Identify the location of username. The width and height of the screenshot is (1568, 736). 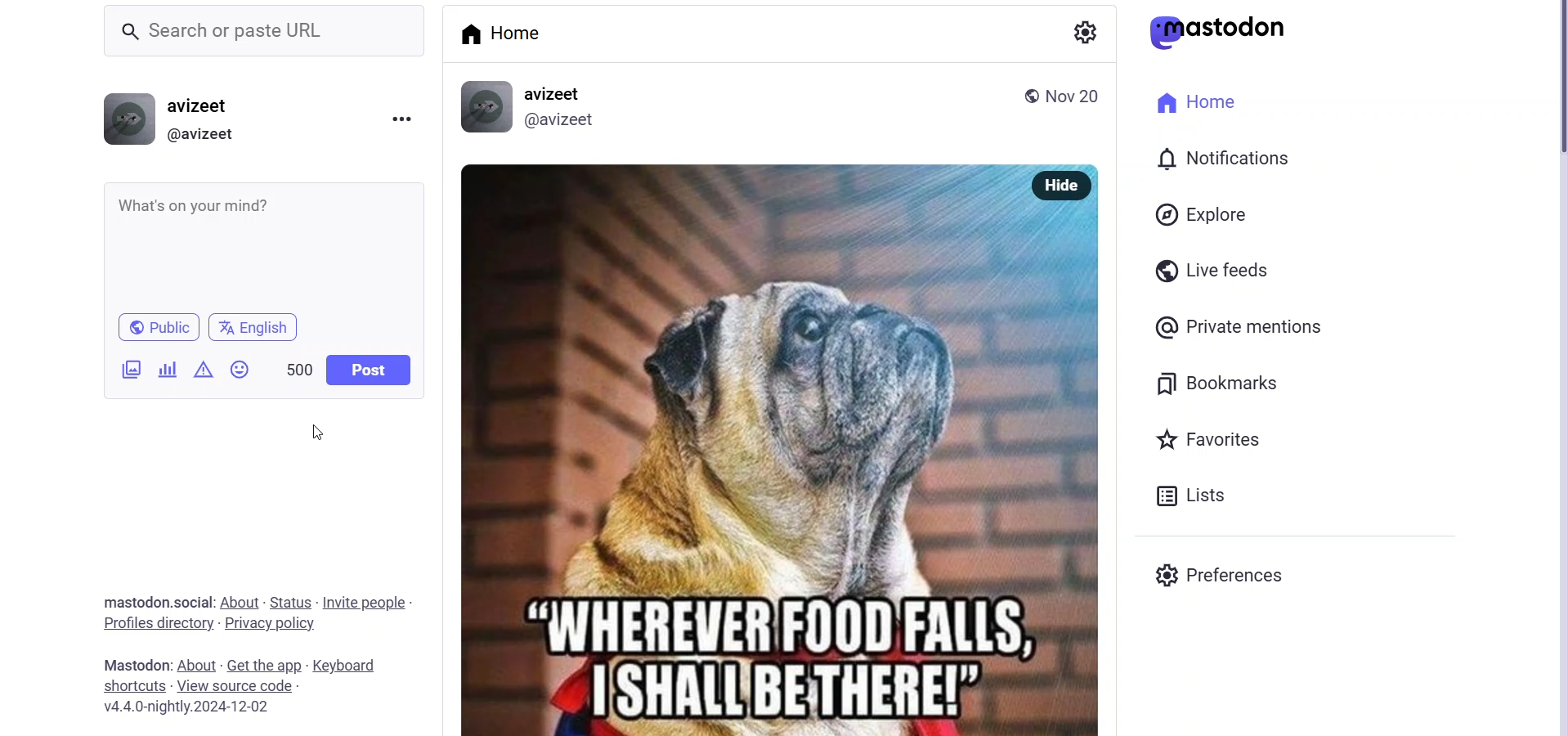
(212, 105).